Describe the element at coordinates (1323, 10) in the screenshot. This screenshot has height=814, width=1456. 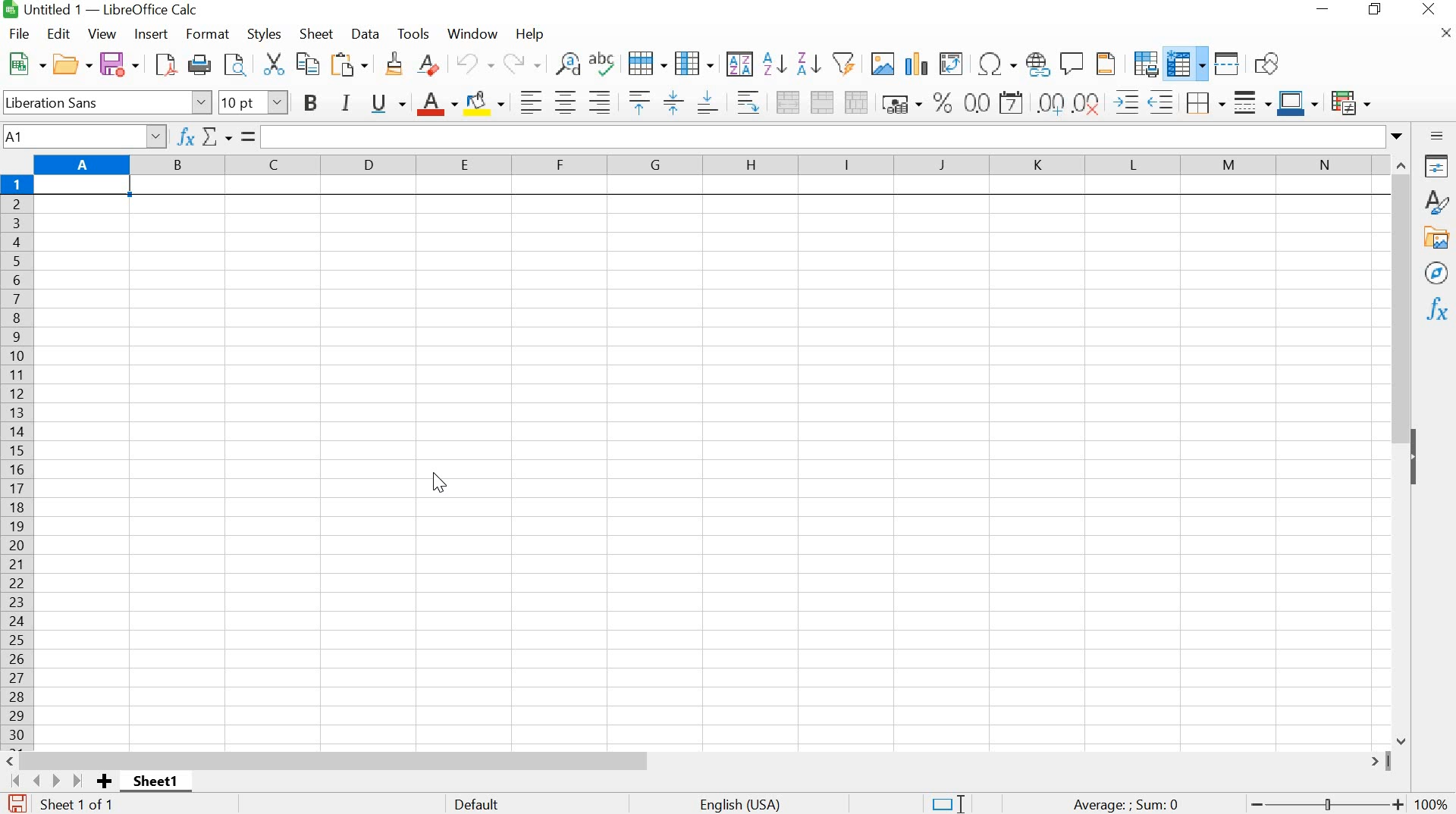
I see `MINIMIZE` at that location.